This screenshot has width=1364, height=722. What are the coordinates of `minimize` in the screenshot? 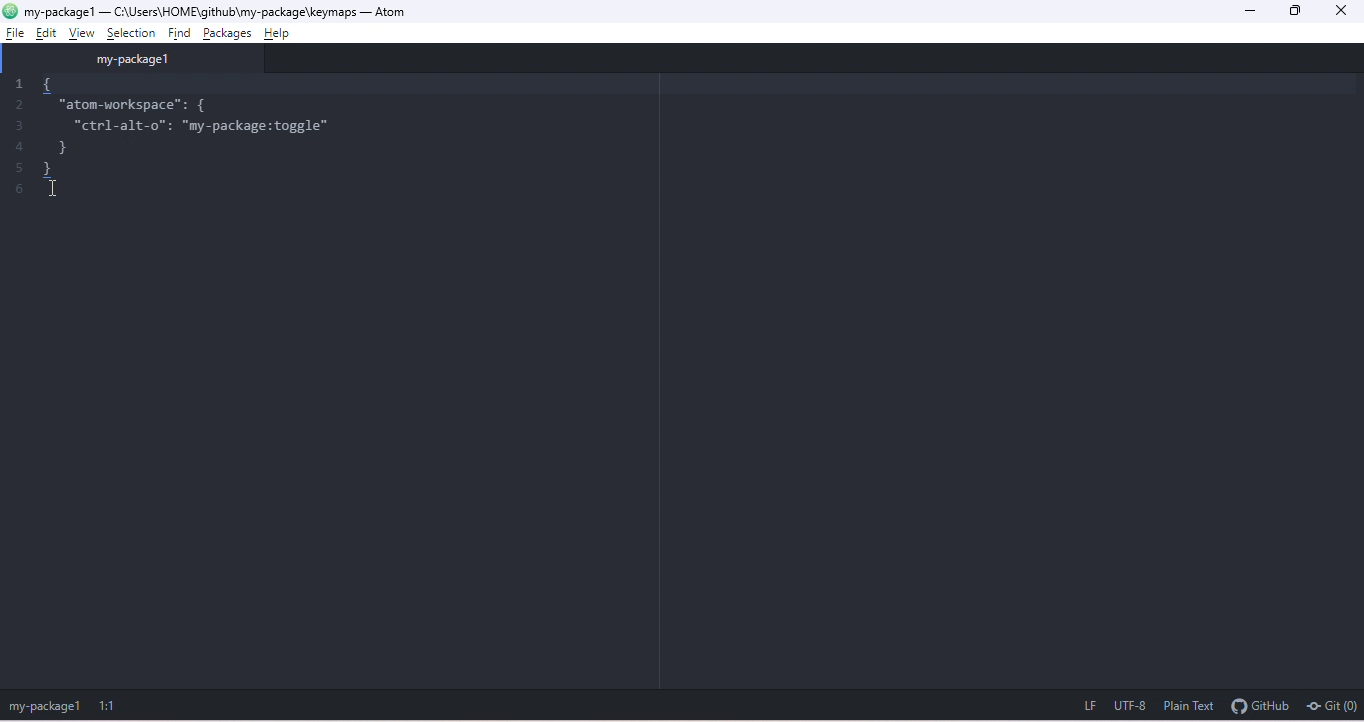 It's located at (1253, 11).